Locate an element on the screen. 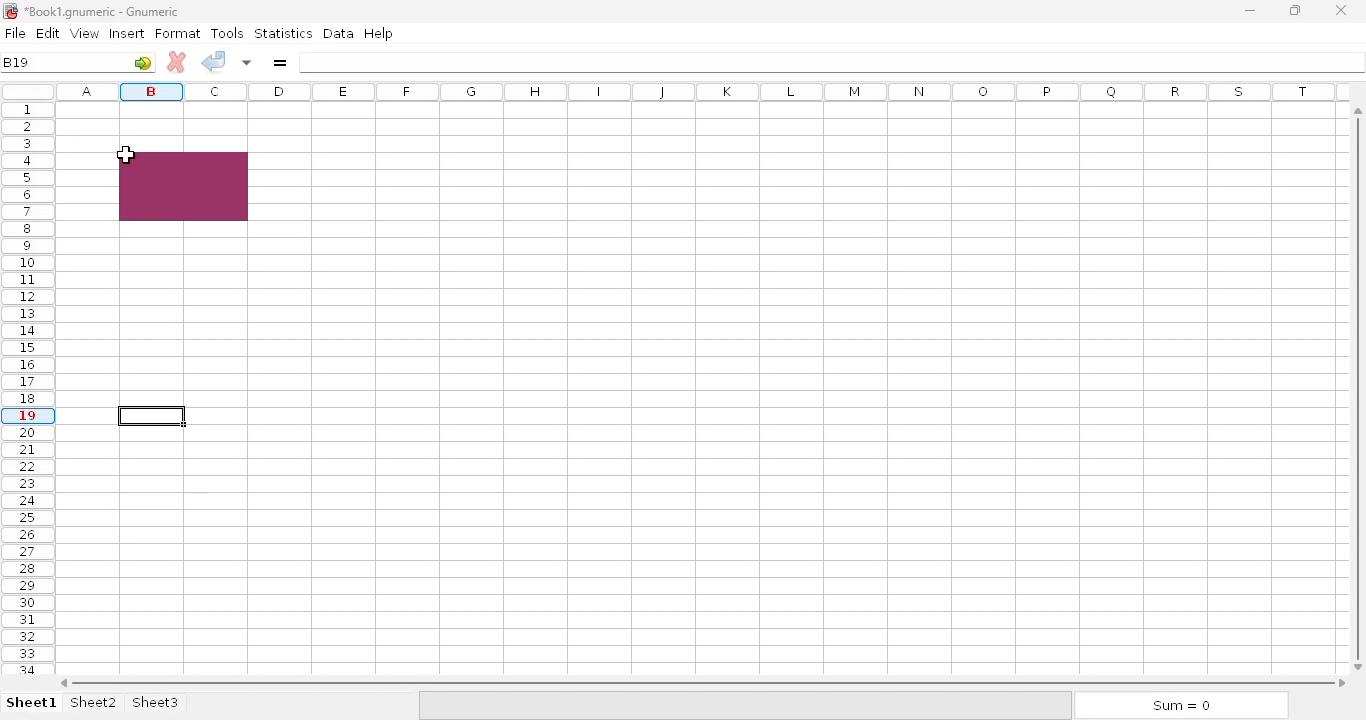  view is located at coordinates (84, 34).